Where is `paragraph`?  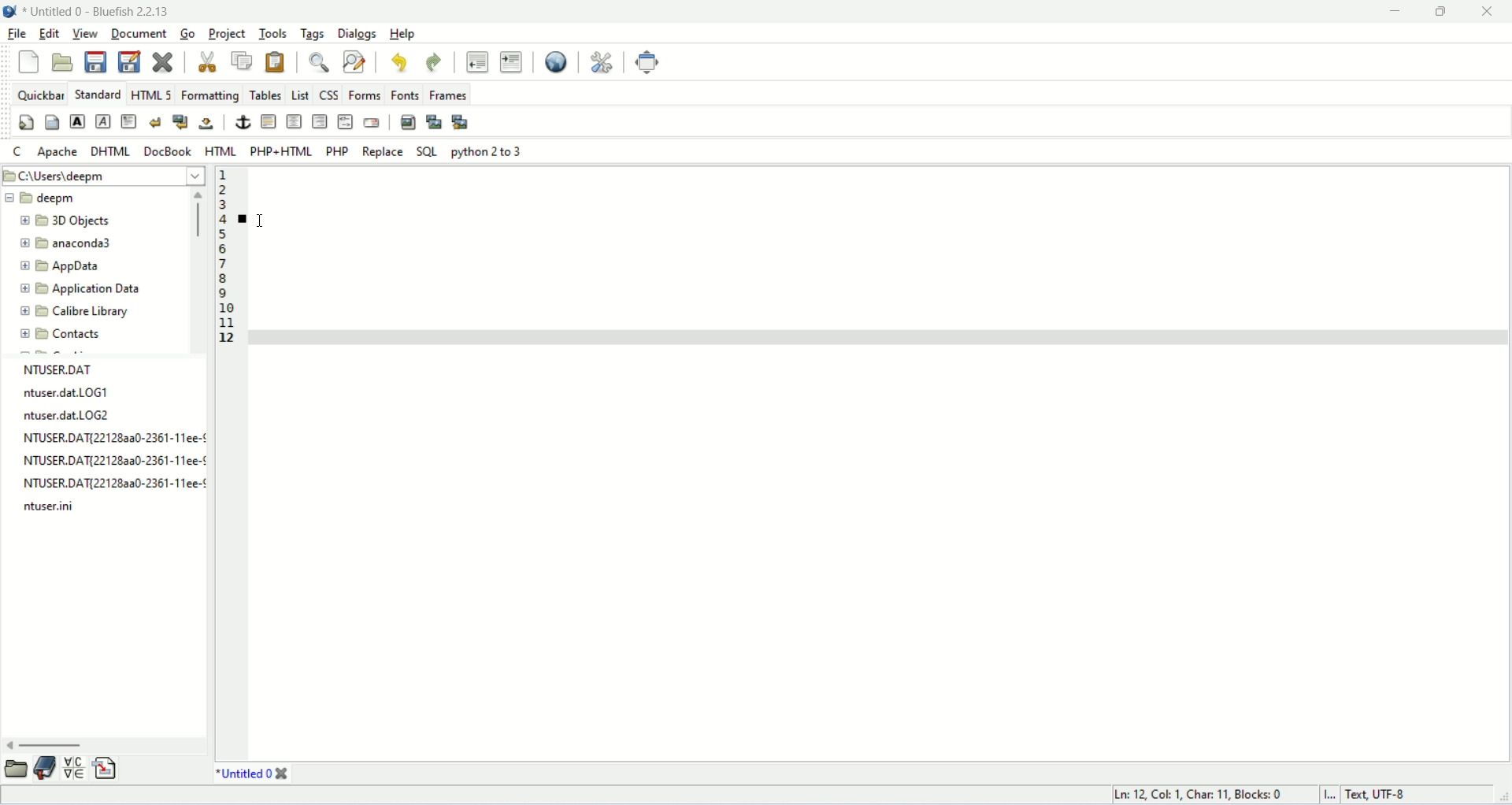
paragraph is located at coordinates (130, 121).